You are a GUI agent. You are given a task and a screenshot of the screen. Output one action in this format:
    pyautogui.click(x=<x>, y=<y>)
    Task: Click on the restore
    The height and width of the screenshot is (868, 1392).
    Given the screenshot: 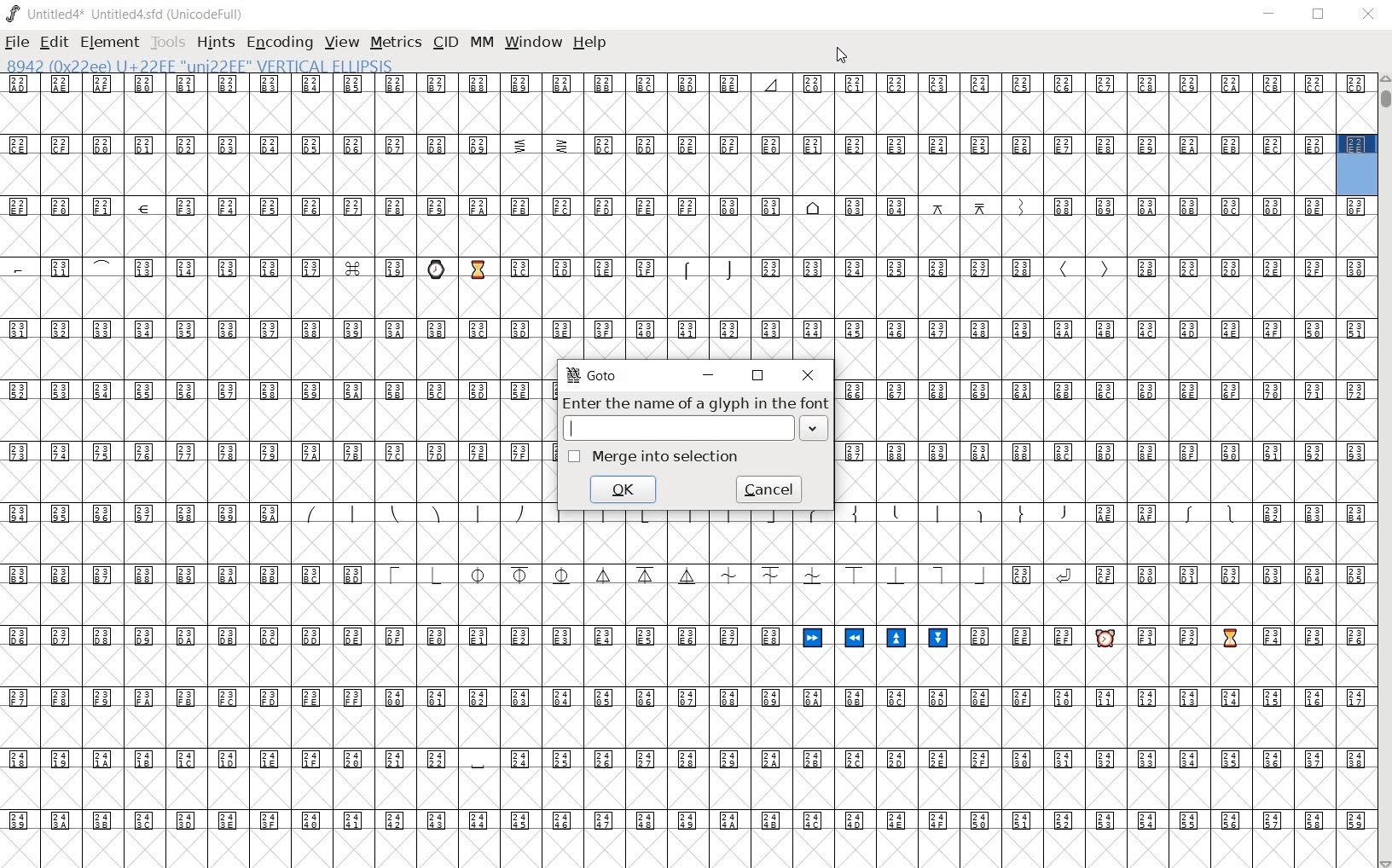 What is the action you would take?
    pyautogui.click(x=759, y=376)
    